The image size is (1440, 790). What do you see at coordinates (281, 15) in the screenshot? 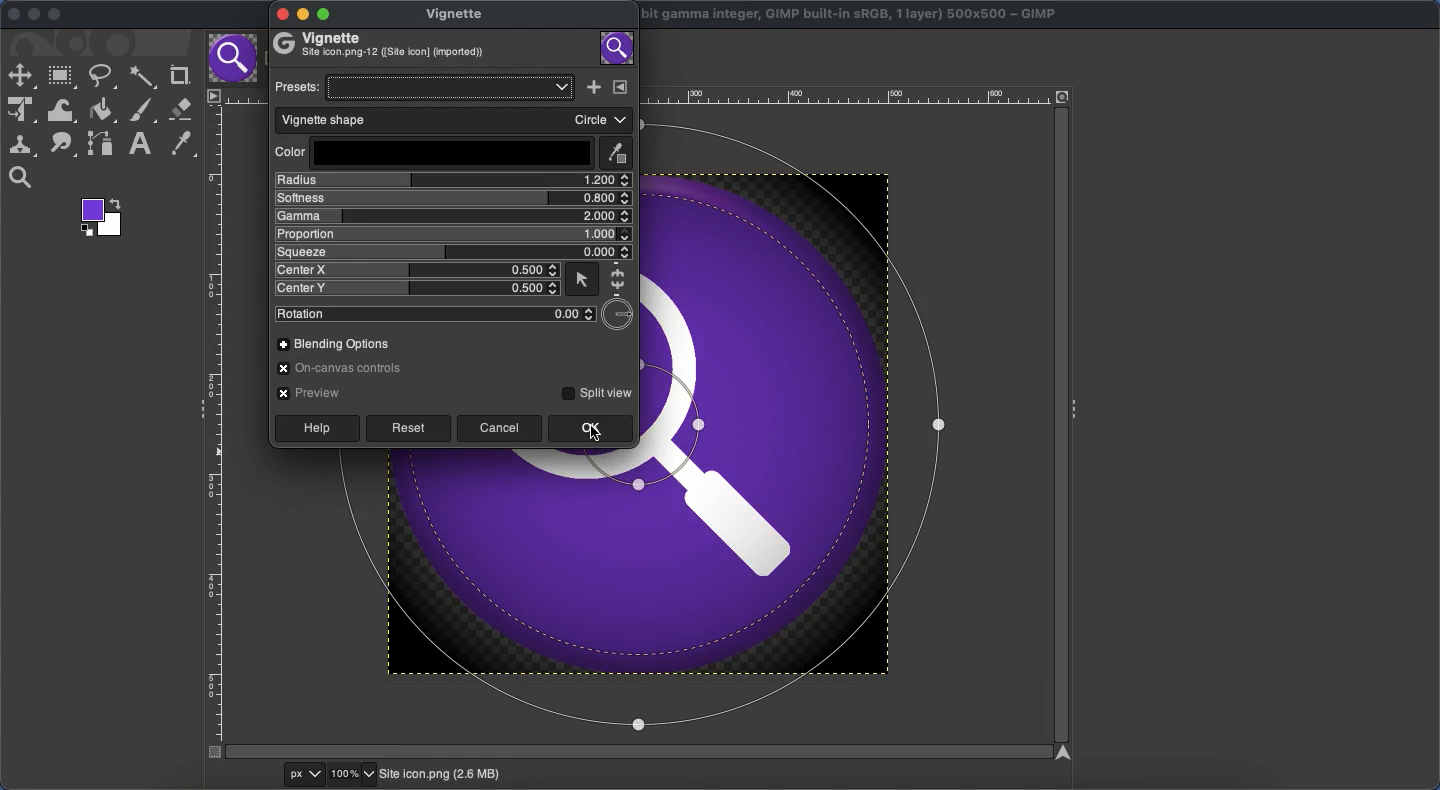
I see `close` at bounding box center [281, 15].